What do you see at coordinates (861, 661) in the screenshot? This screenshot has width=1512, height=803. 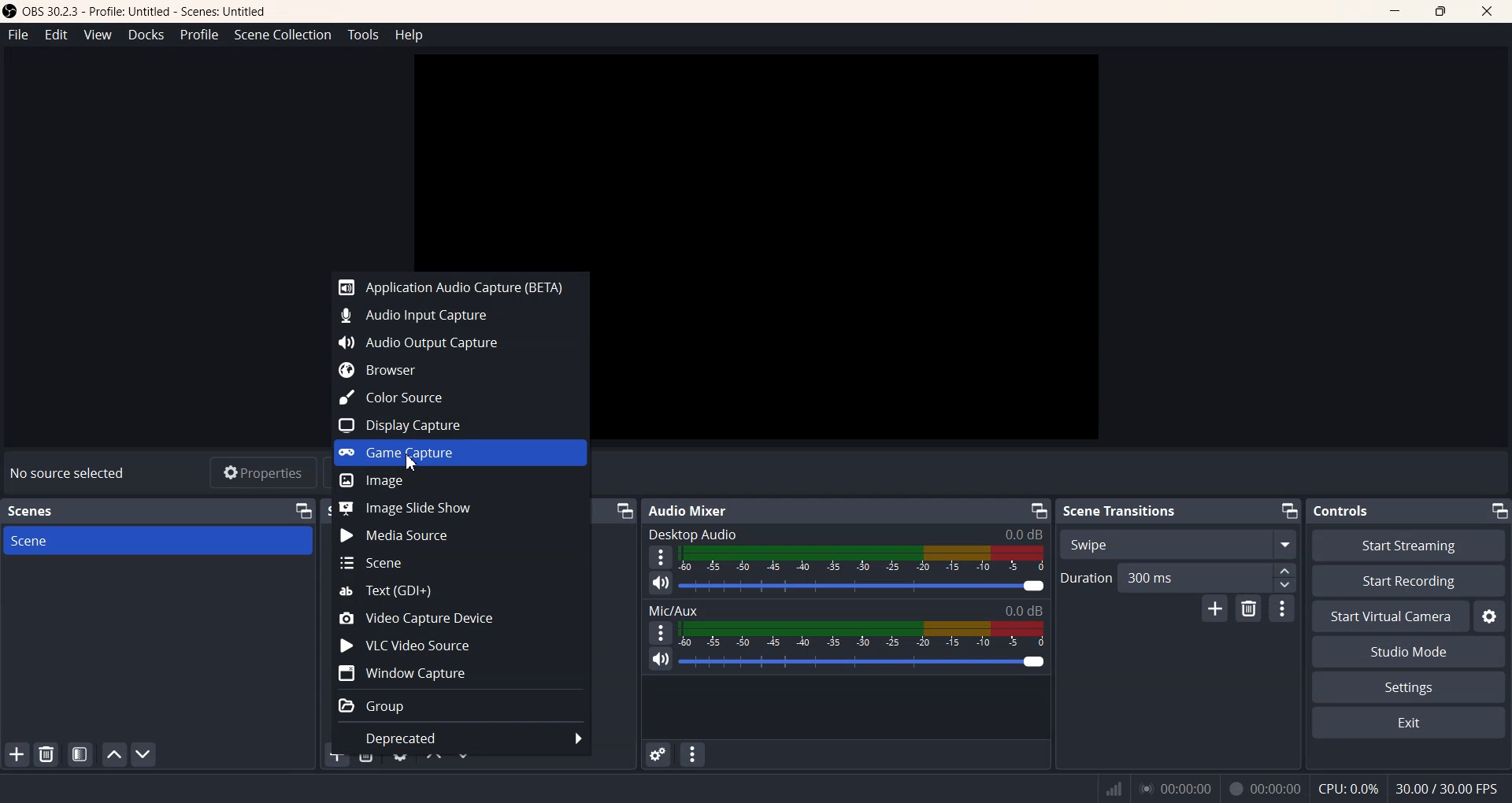 I see `Volume Adjuster` at bounding box center [861, 661].